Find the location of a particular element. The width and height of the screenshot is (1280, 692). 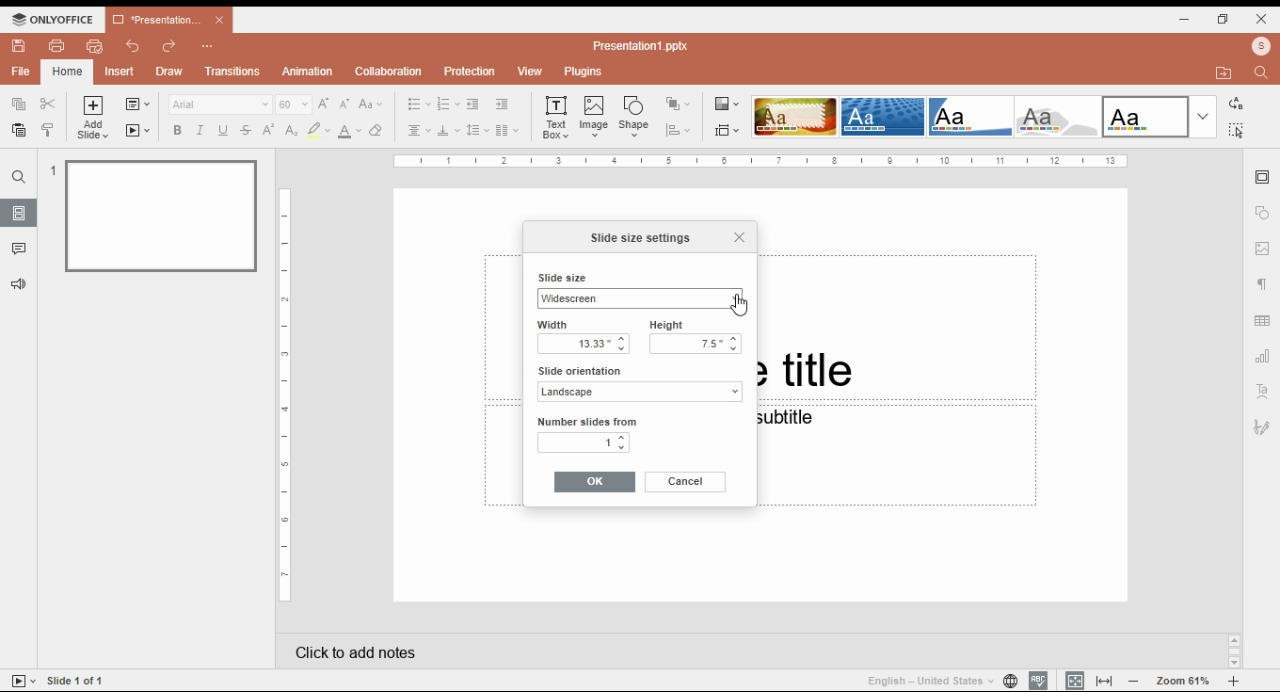

slide size is located at coordinates (560, 279).